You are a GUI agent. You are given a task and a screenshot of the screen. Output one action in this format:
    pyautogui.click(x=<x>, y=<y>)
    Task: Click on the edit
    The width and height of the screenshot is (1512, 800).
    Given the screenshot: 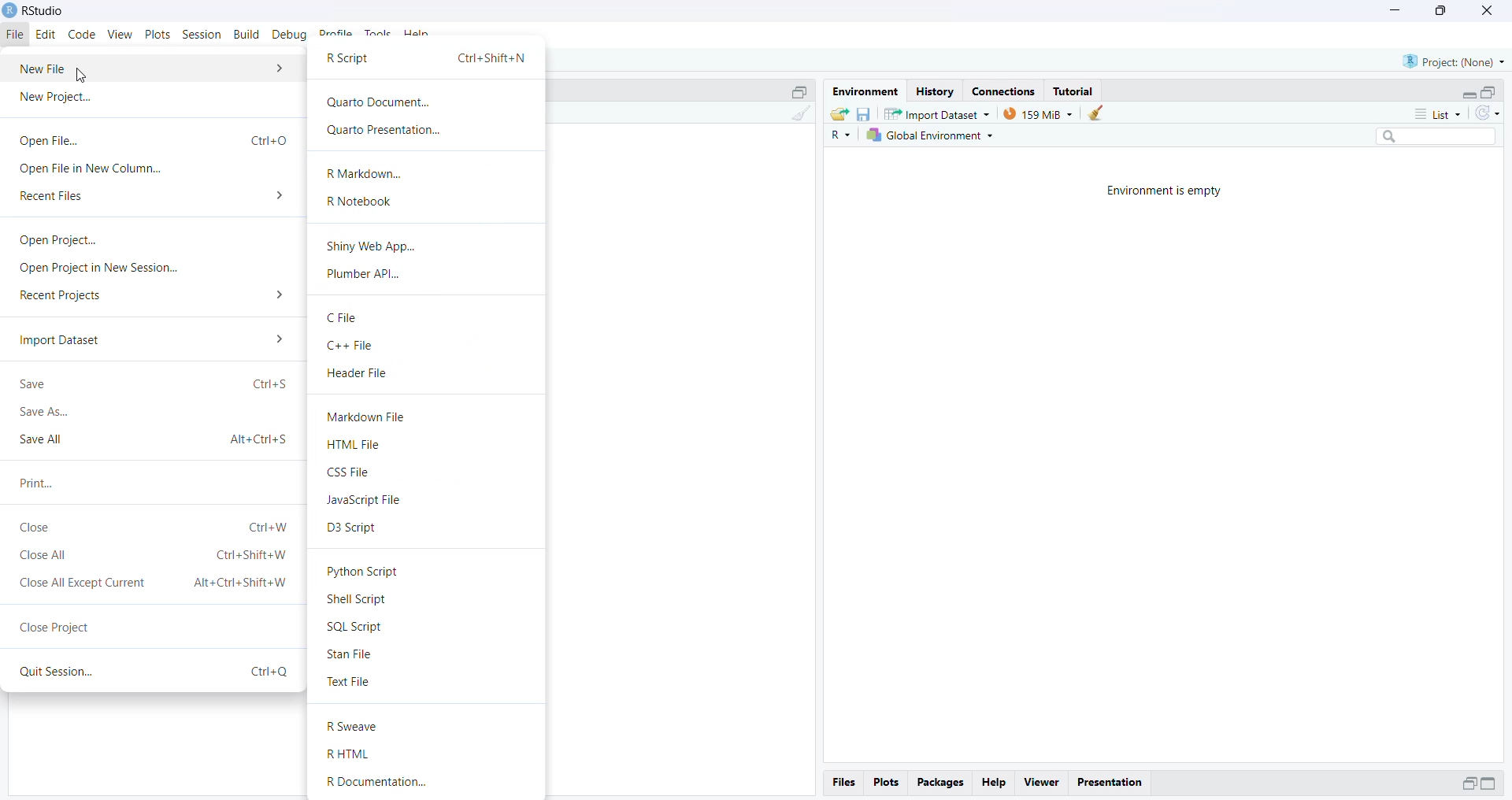 What is the action you would take?
    pyautogui.click(x=49, y=35)
    